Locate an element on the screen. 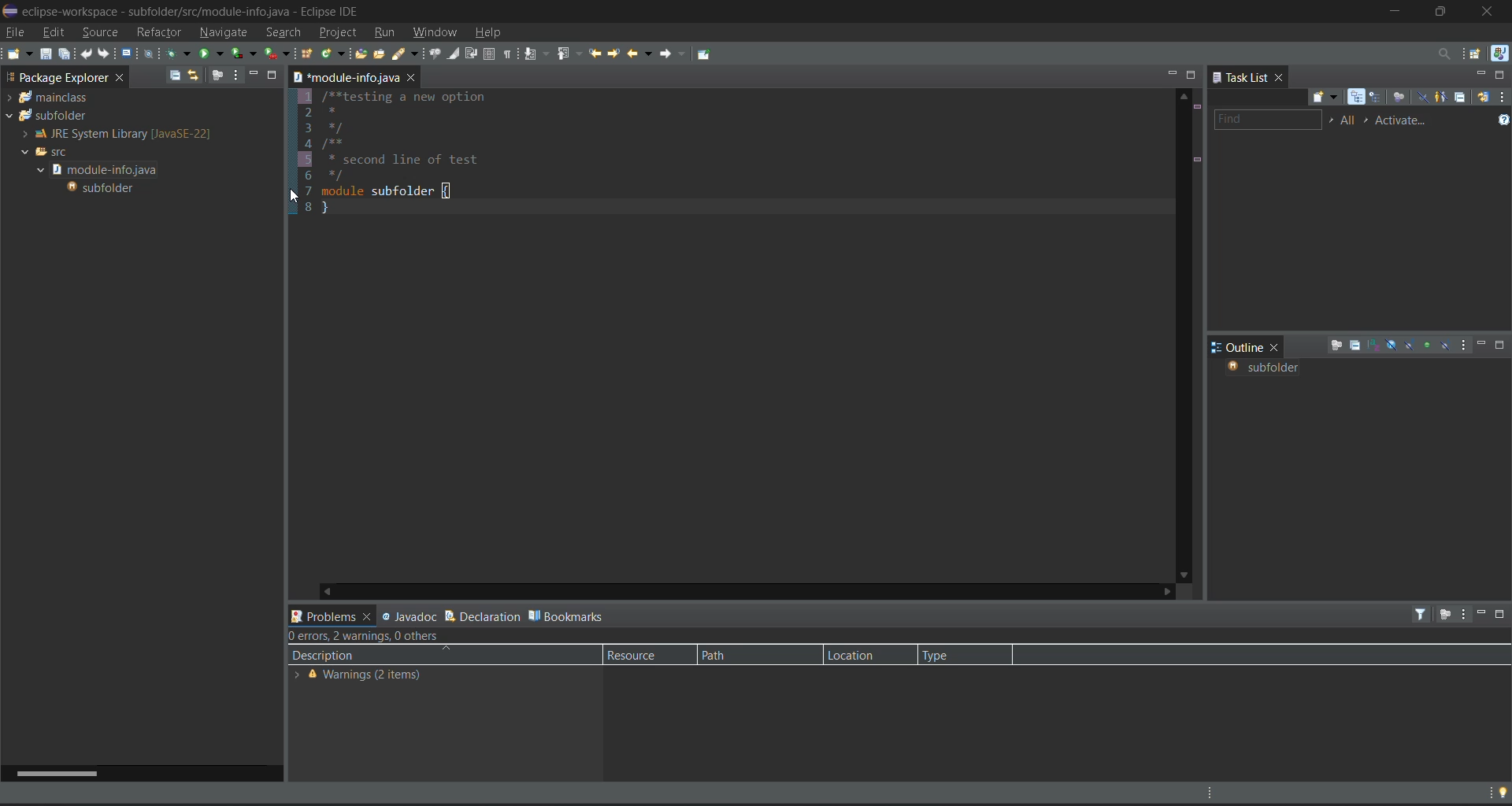 The height and width of the screenshot is (806, 1512). collapse all is located at coordinates (1354, 346).